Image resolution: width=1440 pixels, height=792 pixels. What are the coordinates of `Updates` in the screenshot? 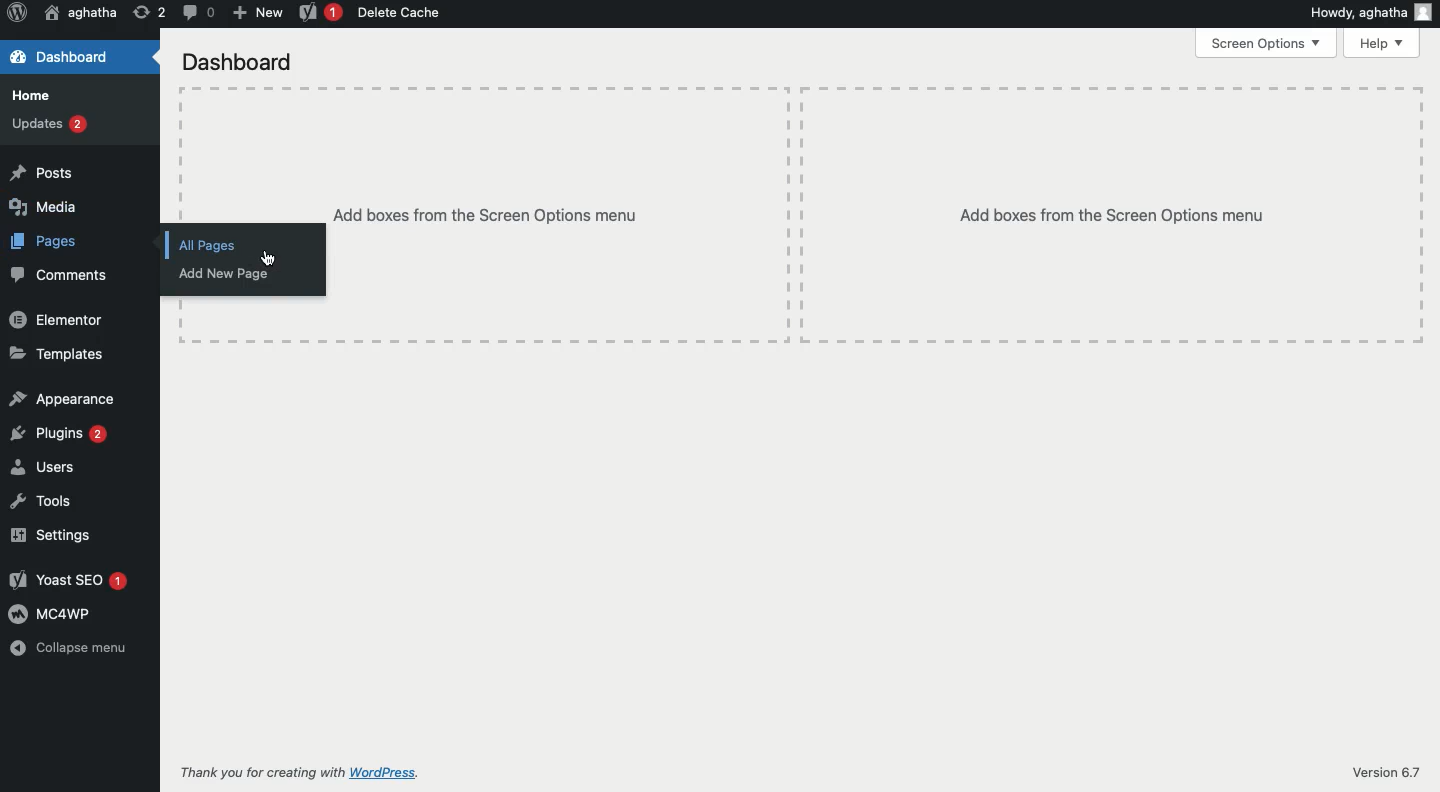 It's located at (49, 124).